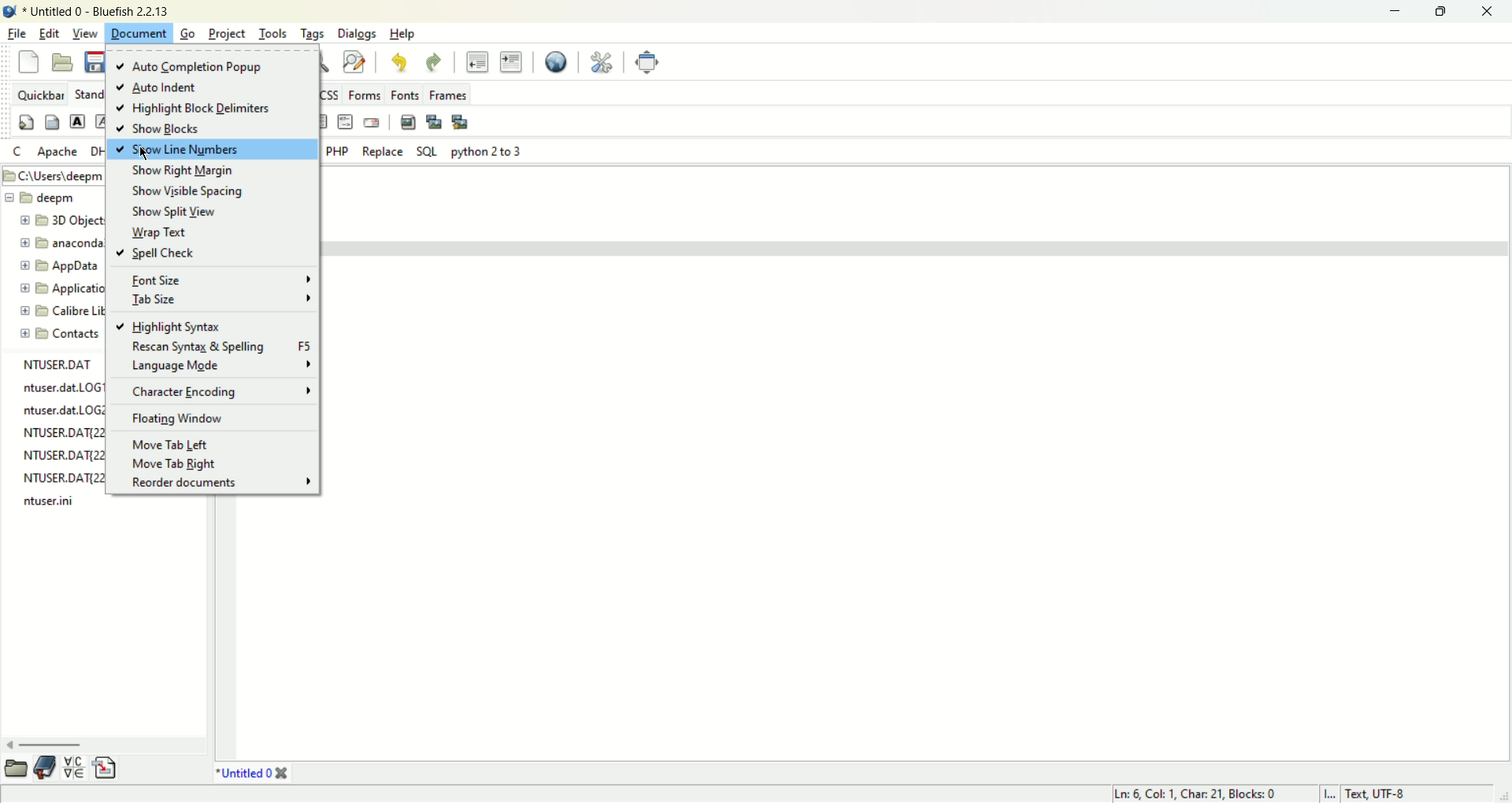  Describe the element at coordinates (346, 123) in the screenshot. I see `HTML comment` at that location.